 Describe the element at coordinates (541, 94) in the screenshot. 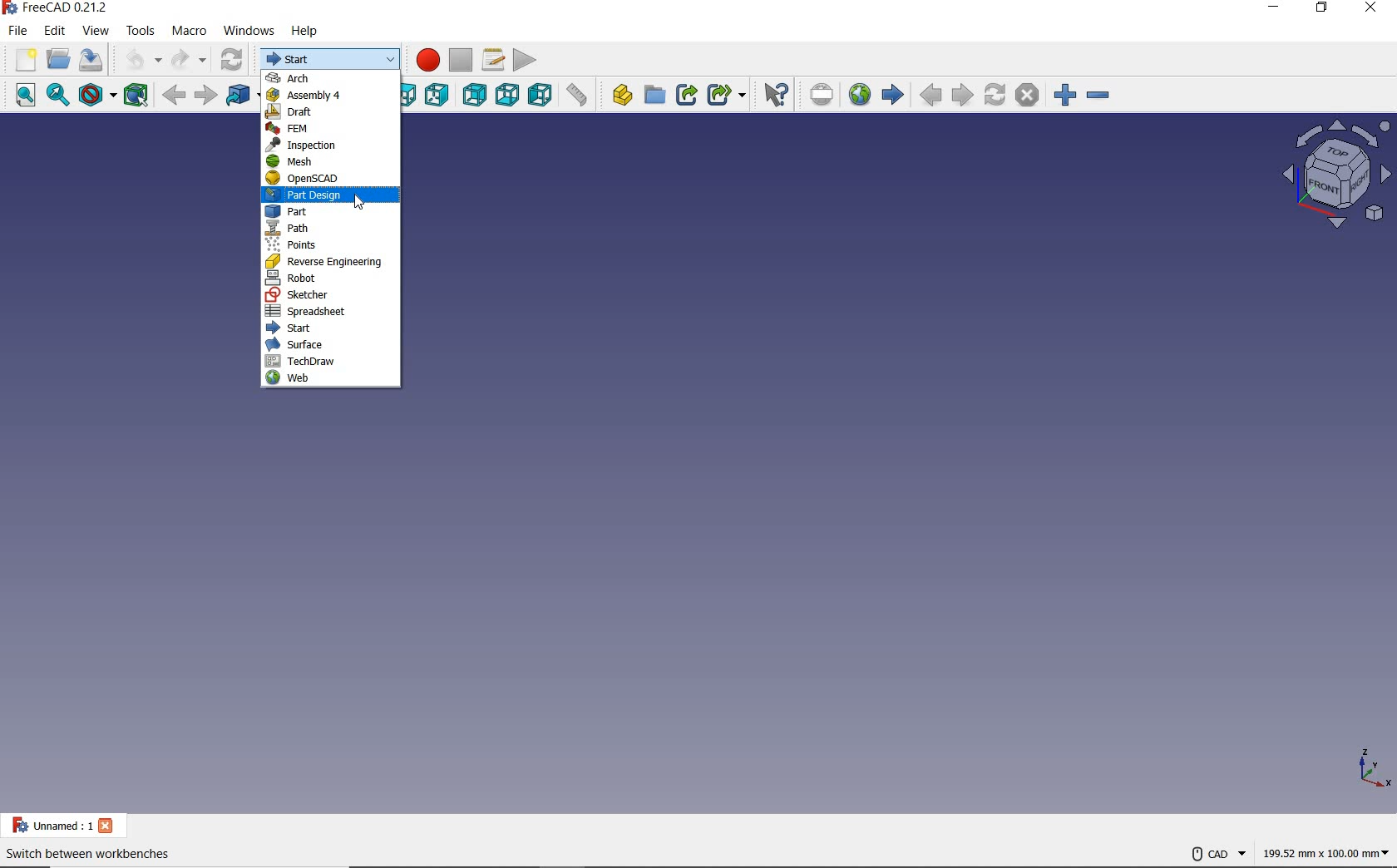

I see `LEFT` at that location.